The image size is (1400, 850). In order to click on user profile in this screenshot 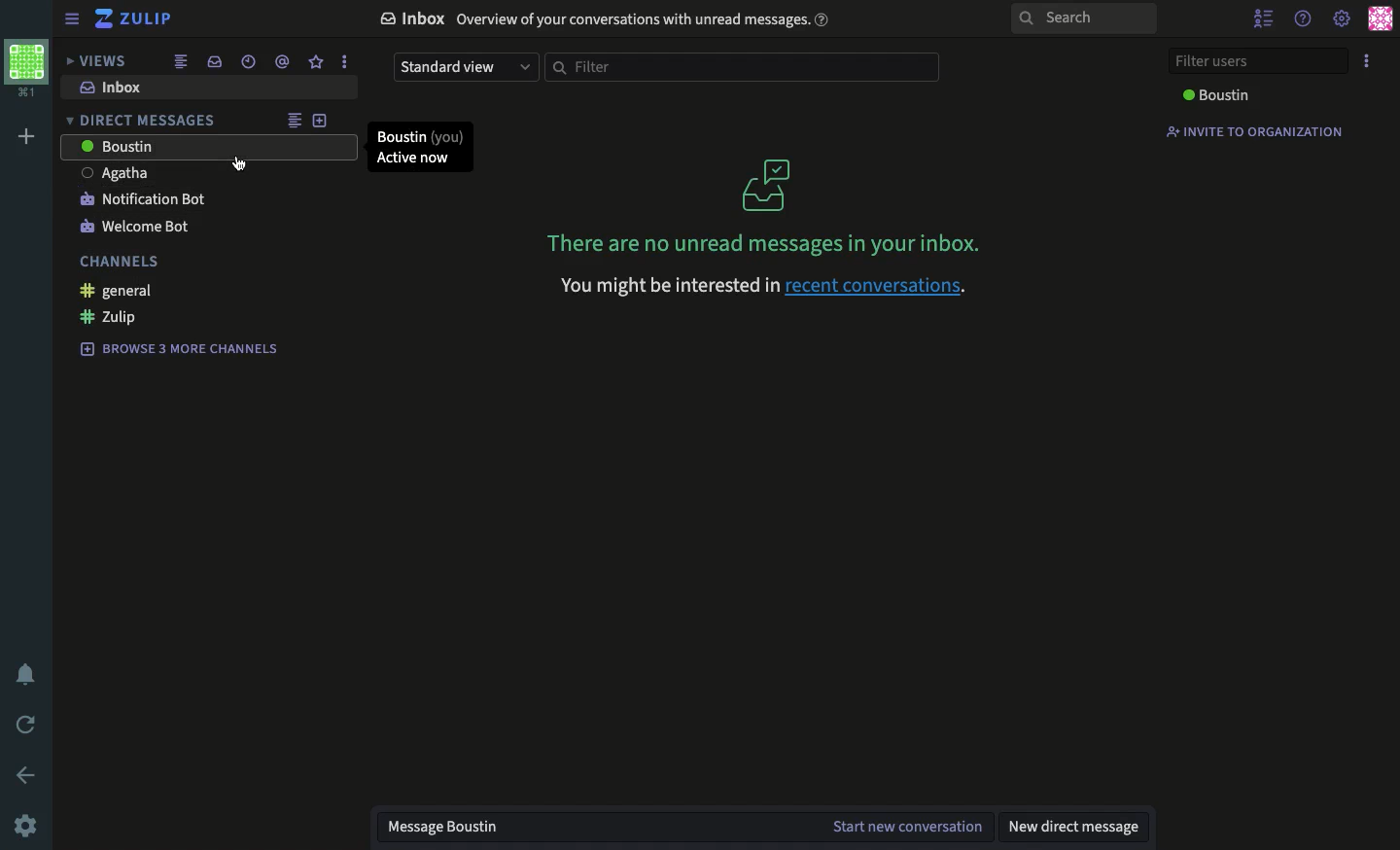, I will do `click(1381, 18)`.